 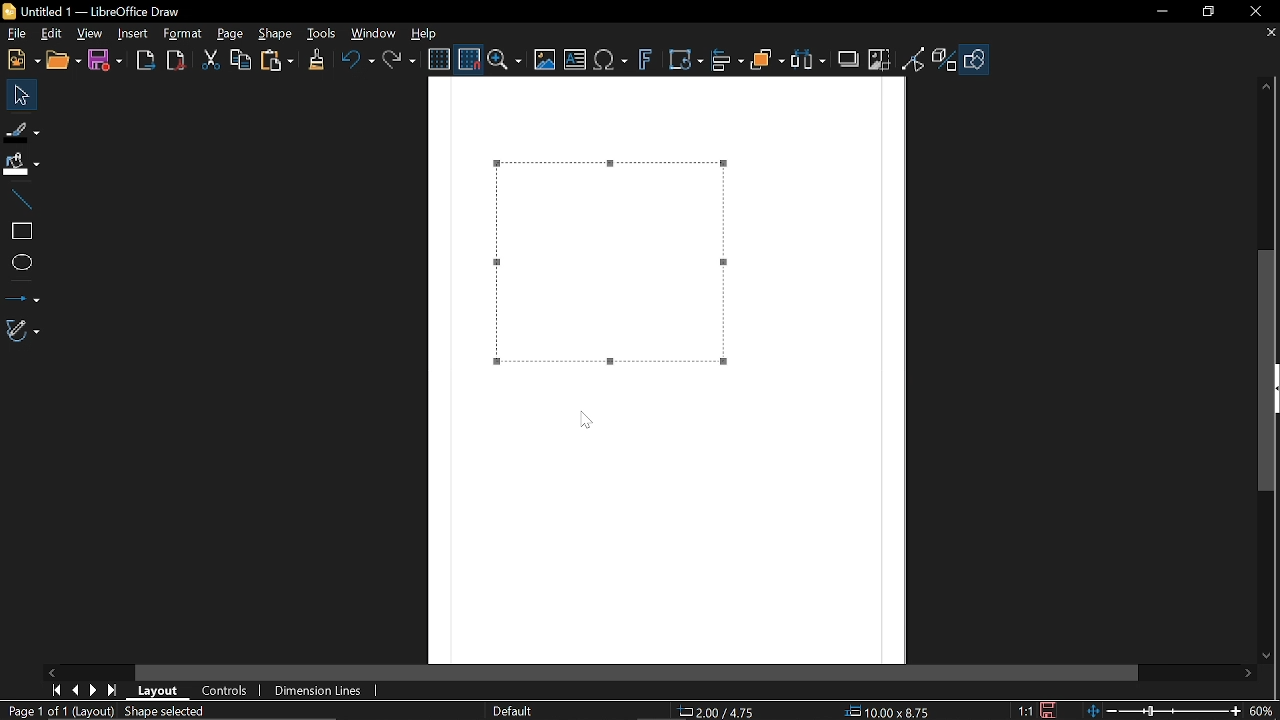 What do you see at coordinates (467, 58) in the screenshot?
I see `Snap to grid` at bounding box center [467, 58].